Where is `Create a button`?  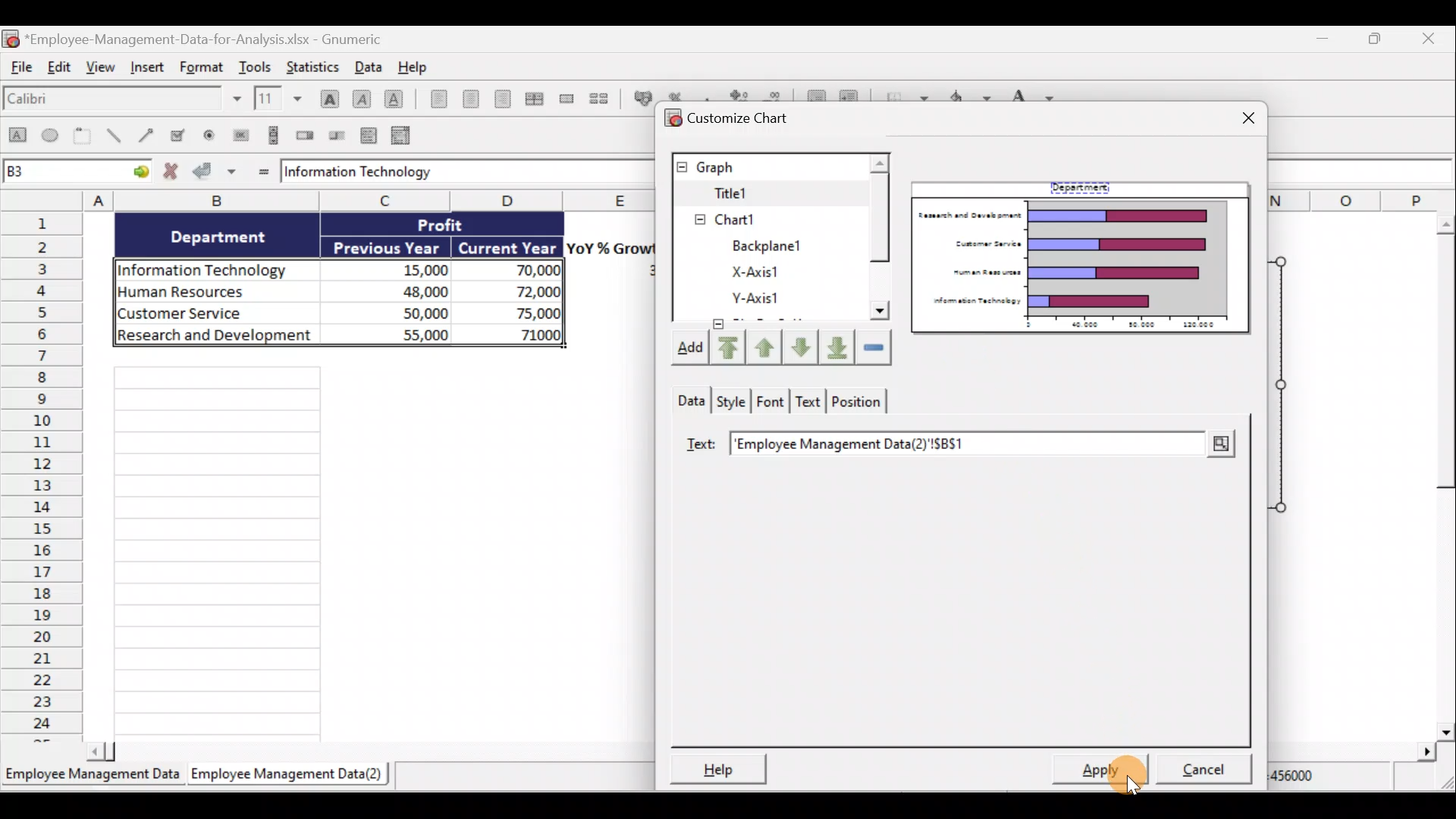
Create a button is located at coordinates (240, 133).